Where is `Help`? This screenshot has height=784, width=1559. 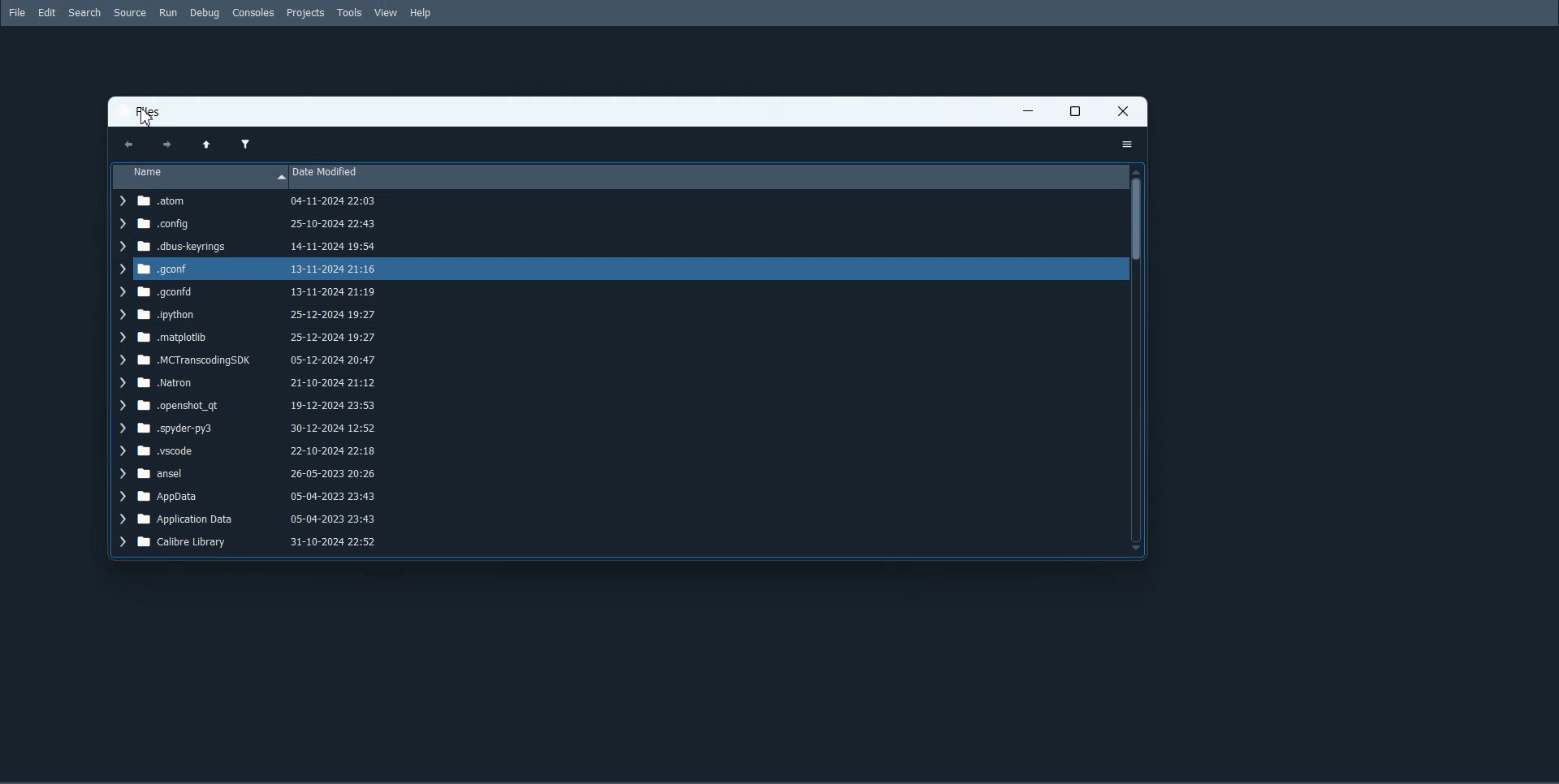
Help is located at coordinates (421, 12).